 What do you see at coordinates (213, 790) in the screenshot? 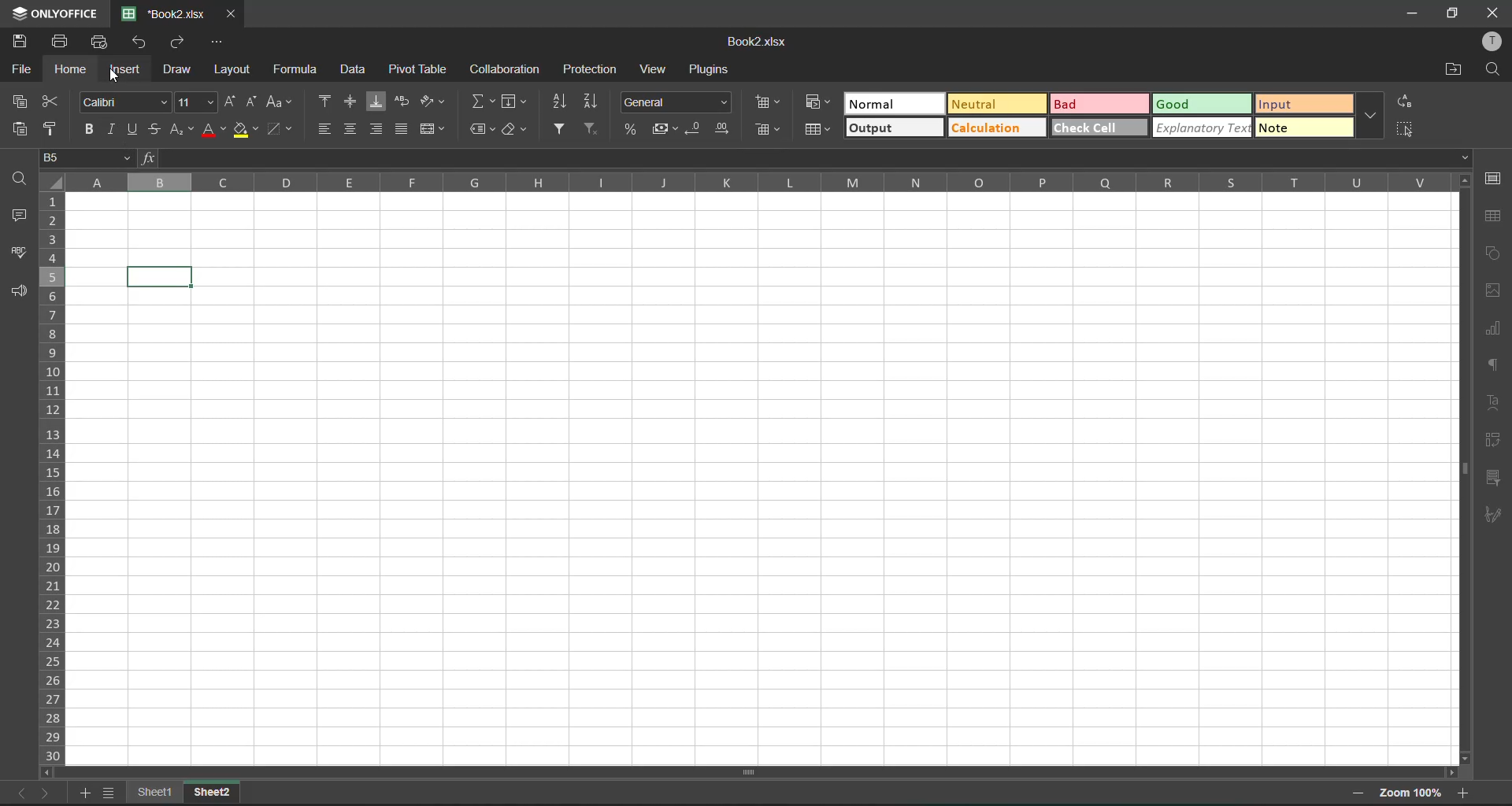
I see `sheet2` at bounding box center [213, 790].